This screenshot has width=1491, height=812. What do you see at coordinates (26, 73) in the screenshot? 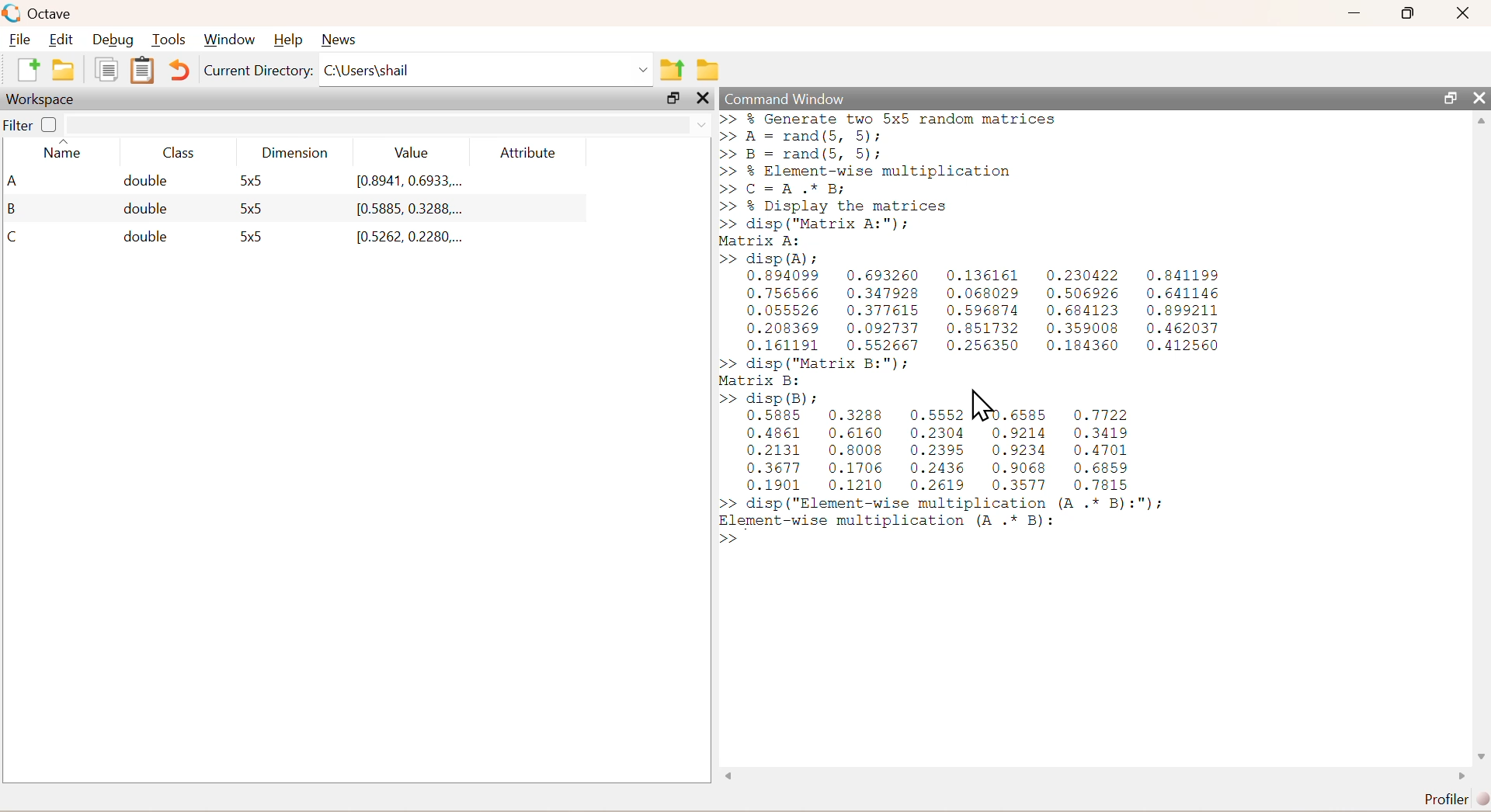
I see `New script` at bounding box center [26, 73].